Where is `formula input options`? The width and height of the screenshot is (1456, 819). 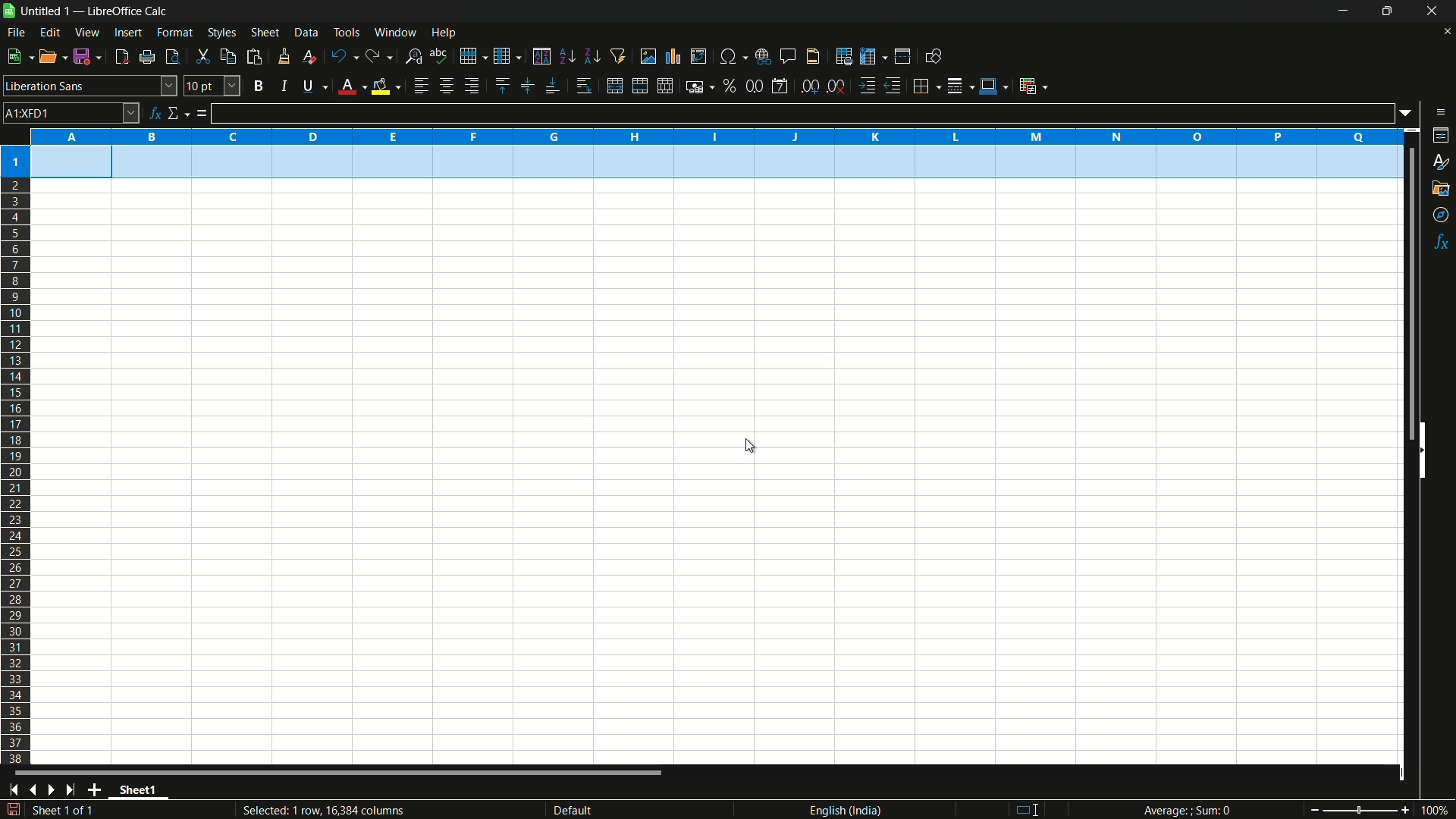
formula input options is located at coordinates (1410, 112).